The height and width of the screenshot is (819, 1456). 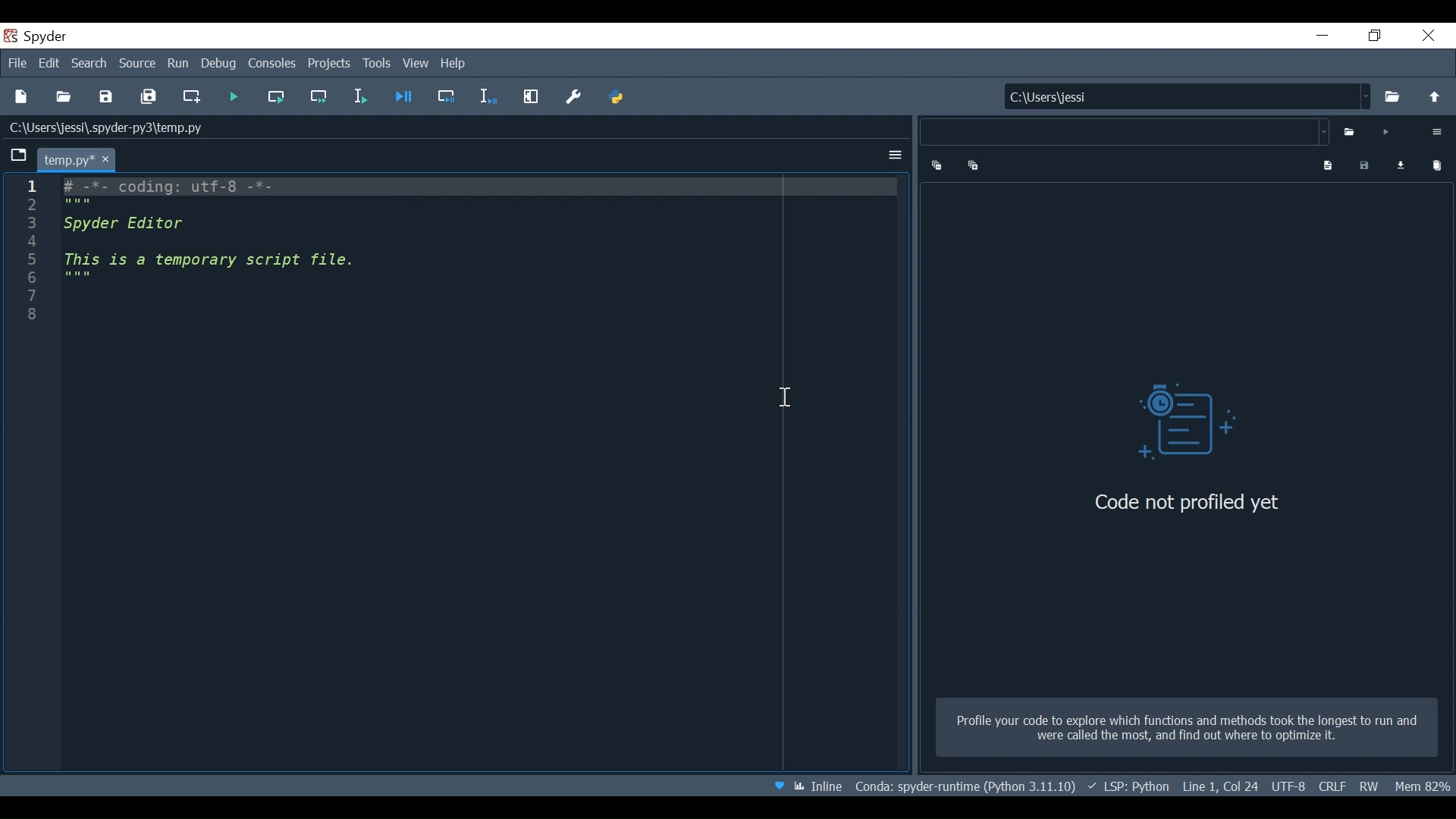 I want to click on File, so click(x=17, y=63).